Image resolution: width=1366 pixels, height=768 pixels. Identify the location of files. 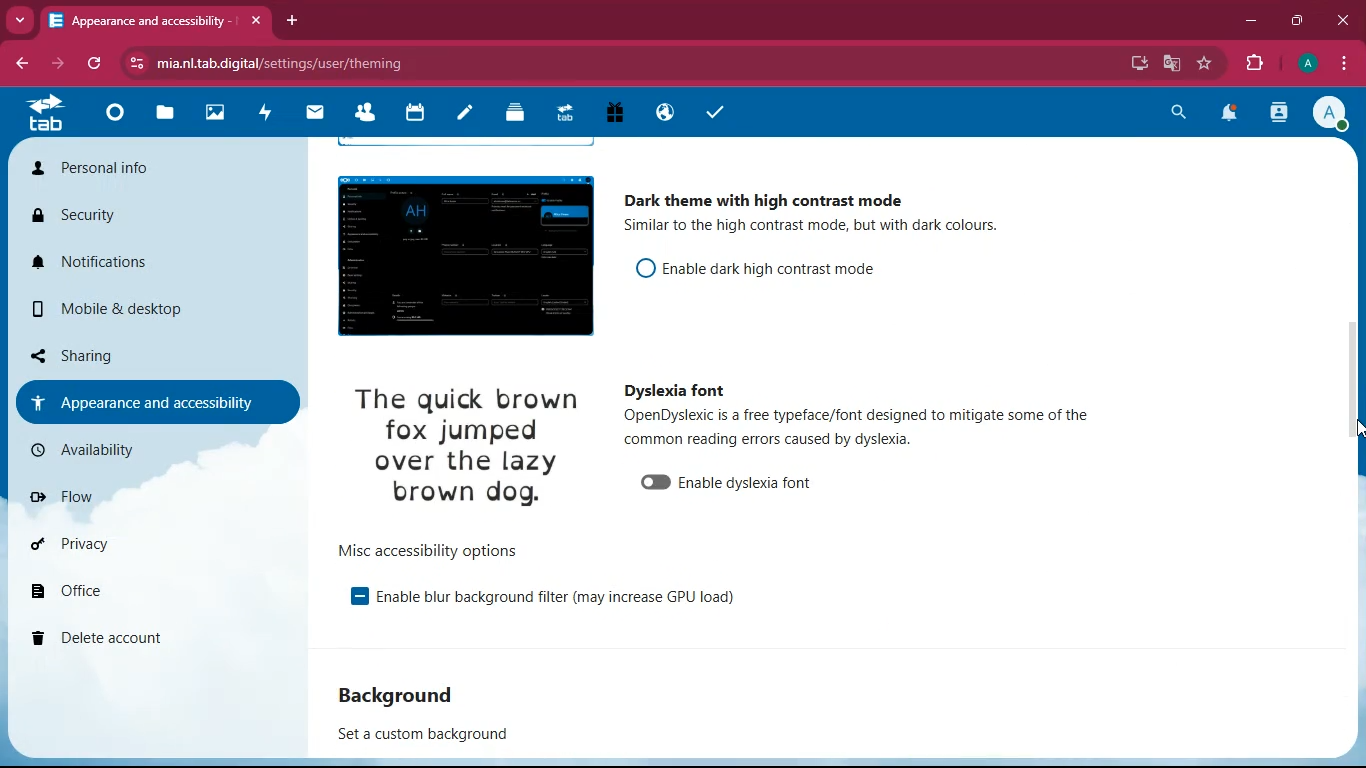
(171, 114).